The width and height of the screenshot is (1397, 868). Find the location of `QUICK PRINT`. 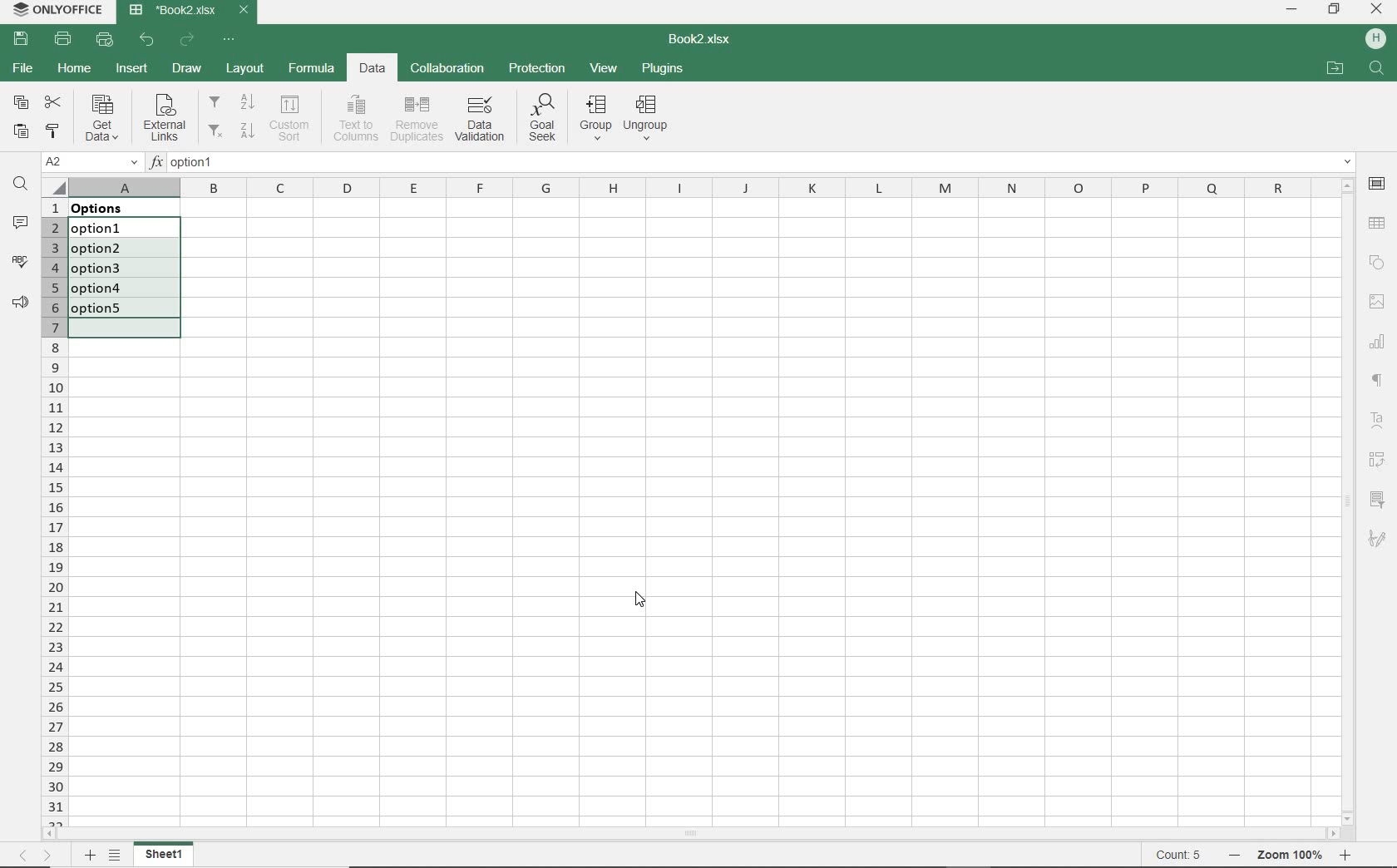

QUICK PRINT is located at coordinates (105, 40).